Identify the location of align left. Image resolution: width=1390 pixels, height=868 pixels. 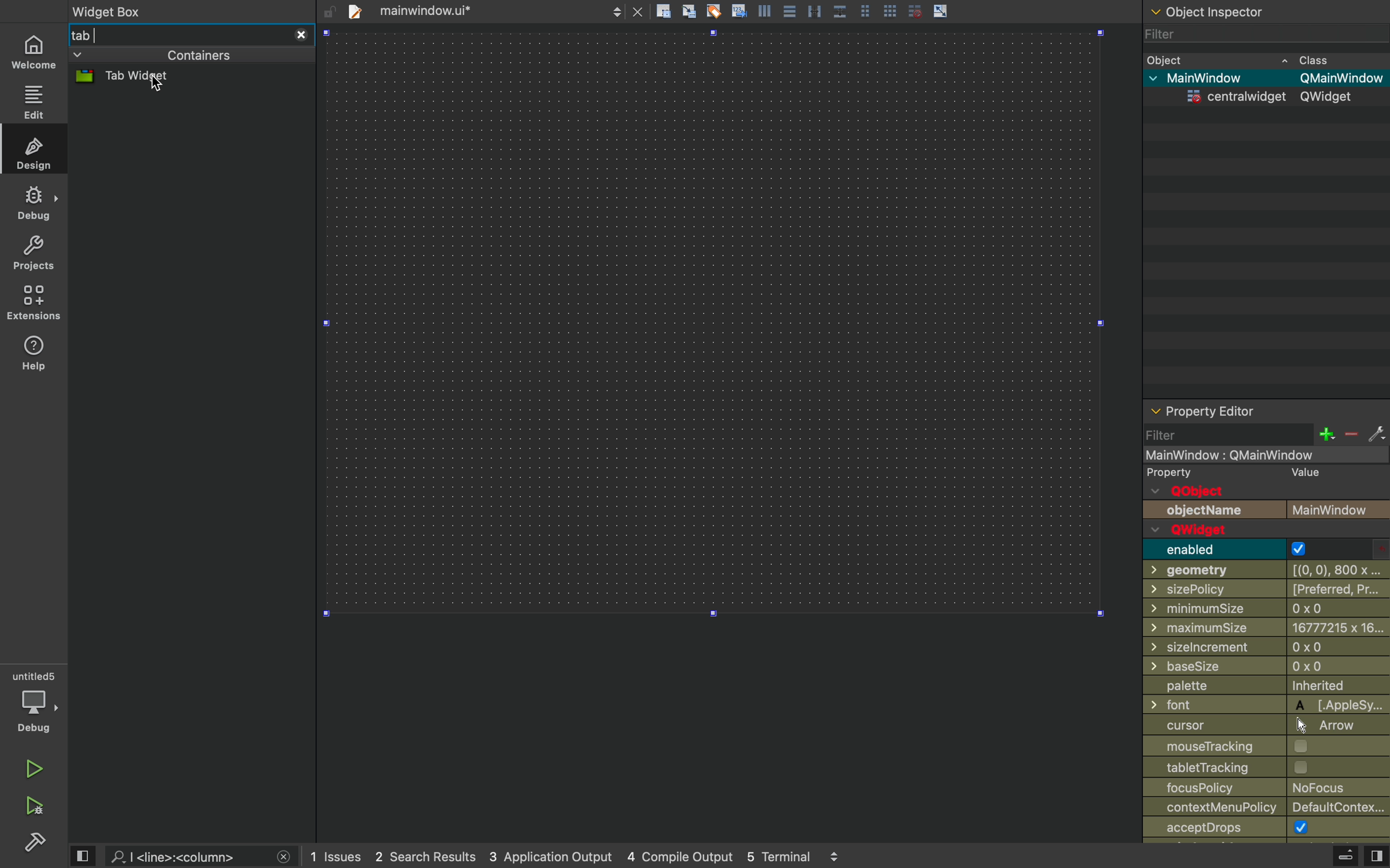
(764, 10).